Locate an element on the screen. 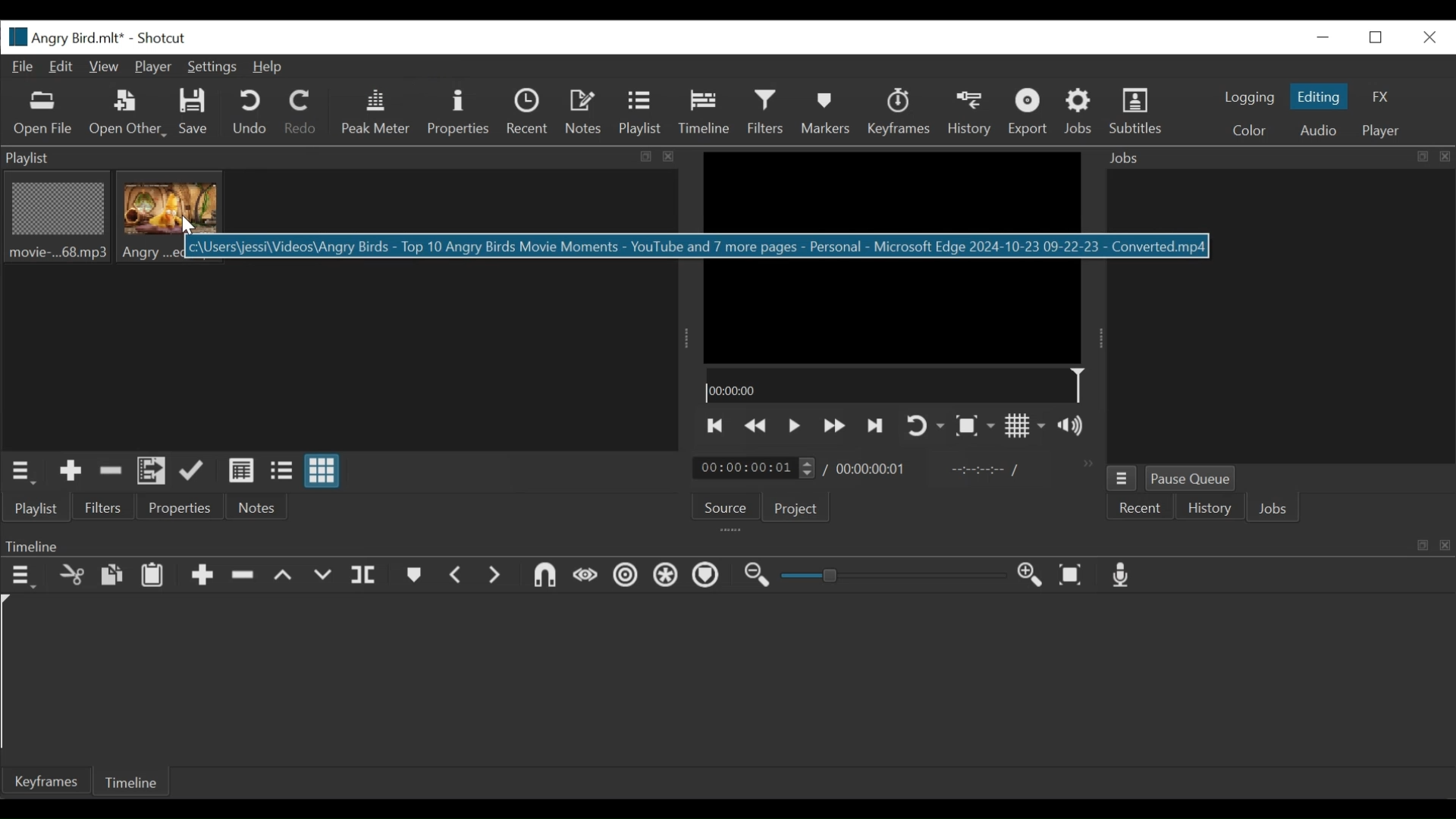  Jobs is located at coordinates (1276, 508).